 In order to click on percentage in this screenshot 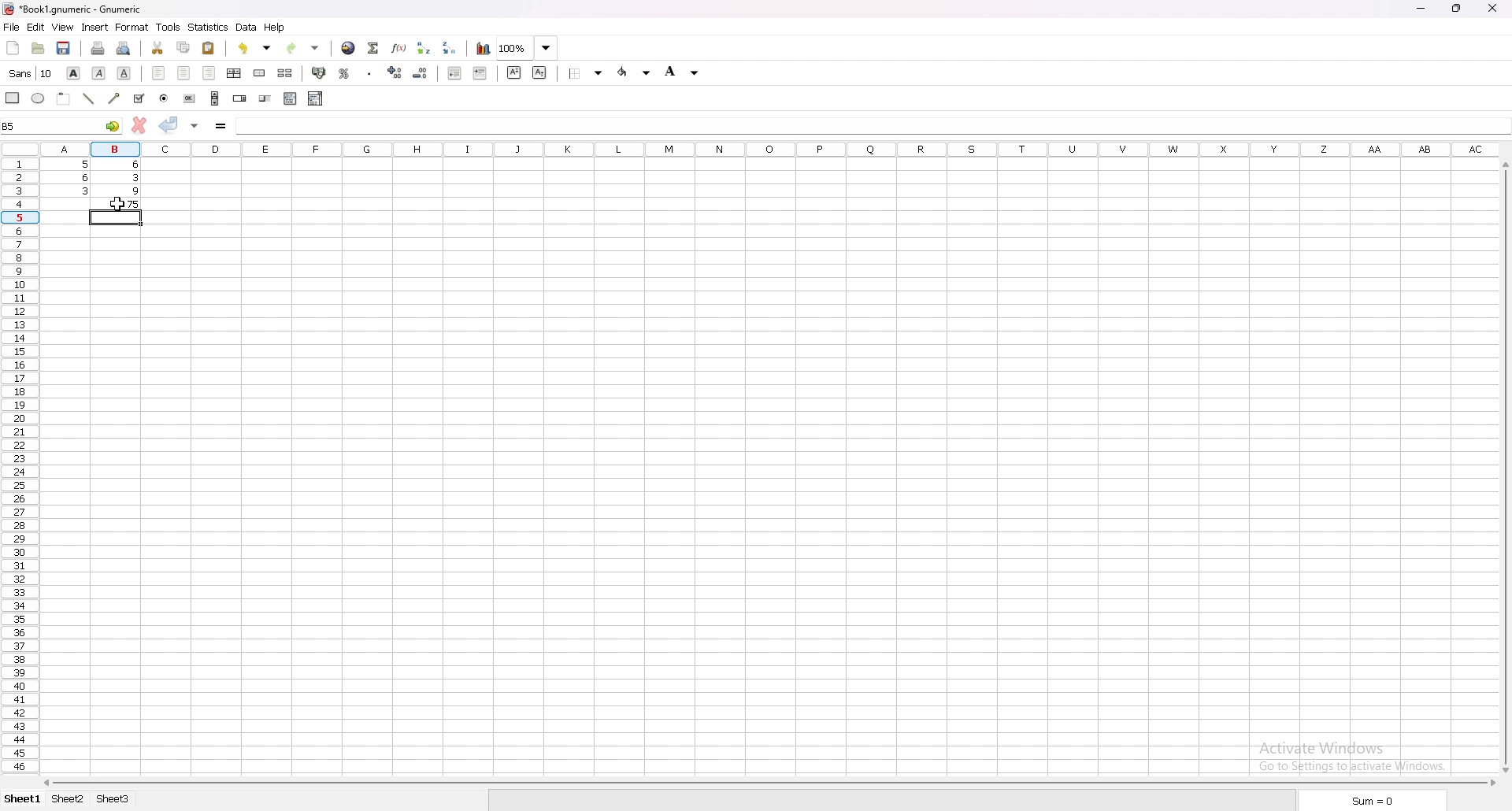, I will do `click(343, 72)`.